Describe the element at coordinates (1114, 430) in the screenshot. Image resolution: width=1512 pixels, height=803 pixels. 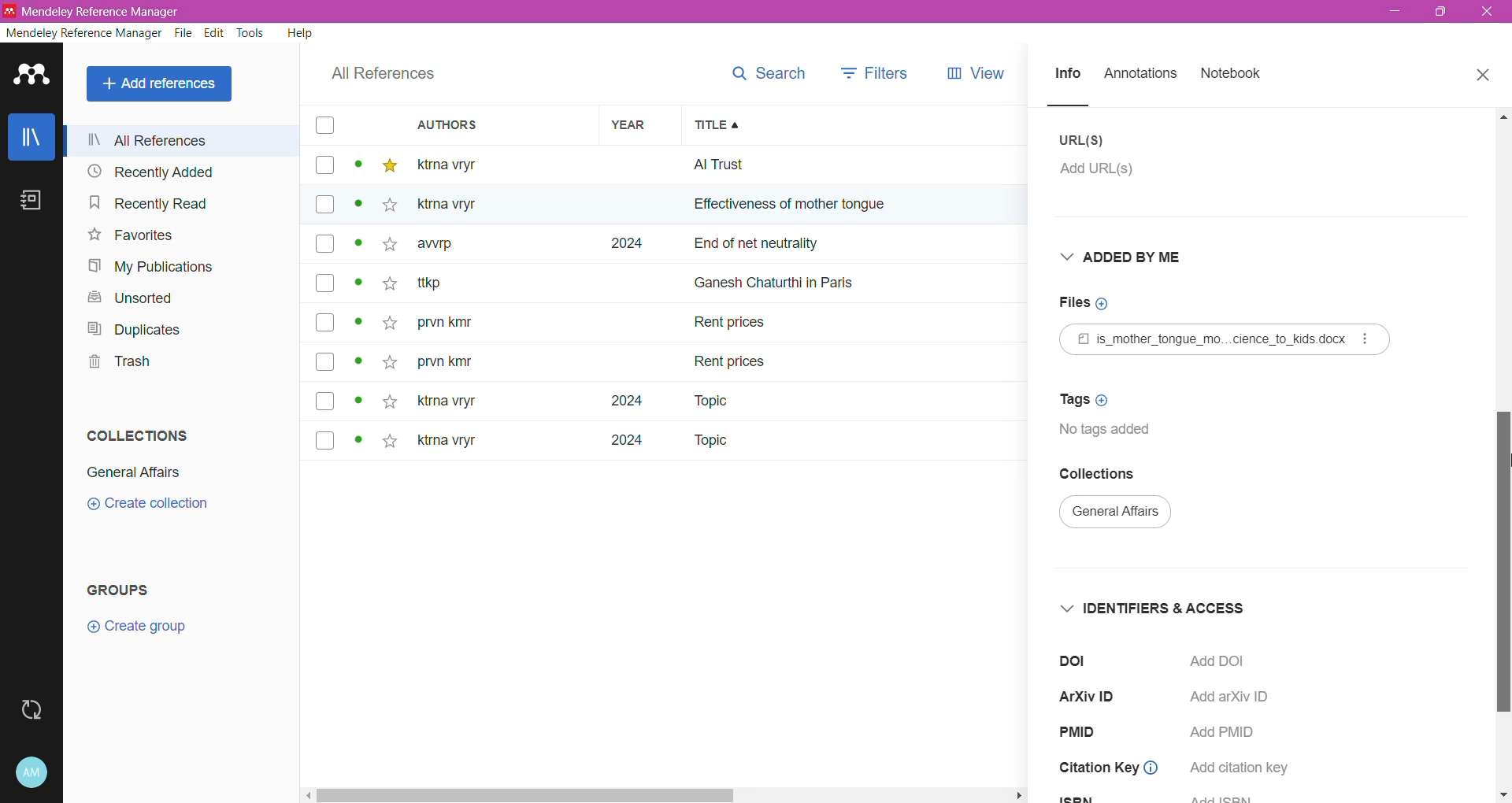
I see `No tags added` at that location.